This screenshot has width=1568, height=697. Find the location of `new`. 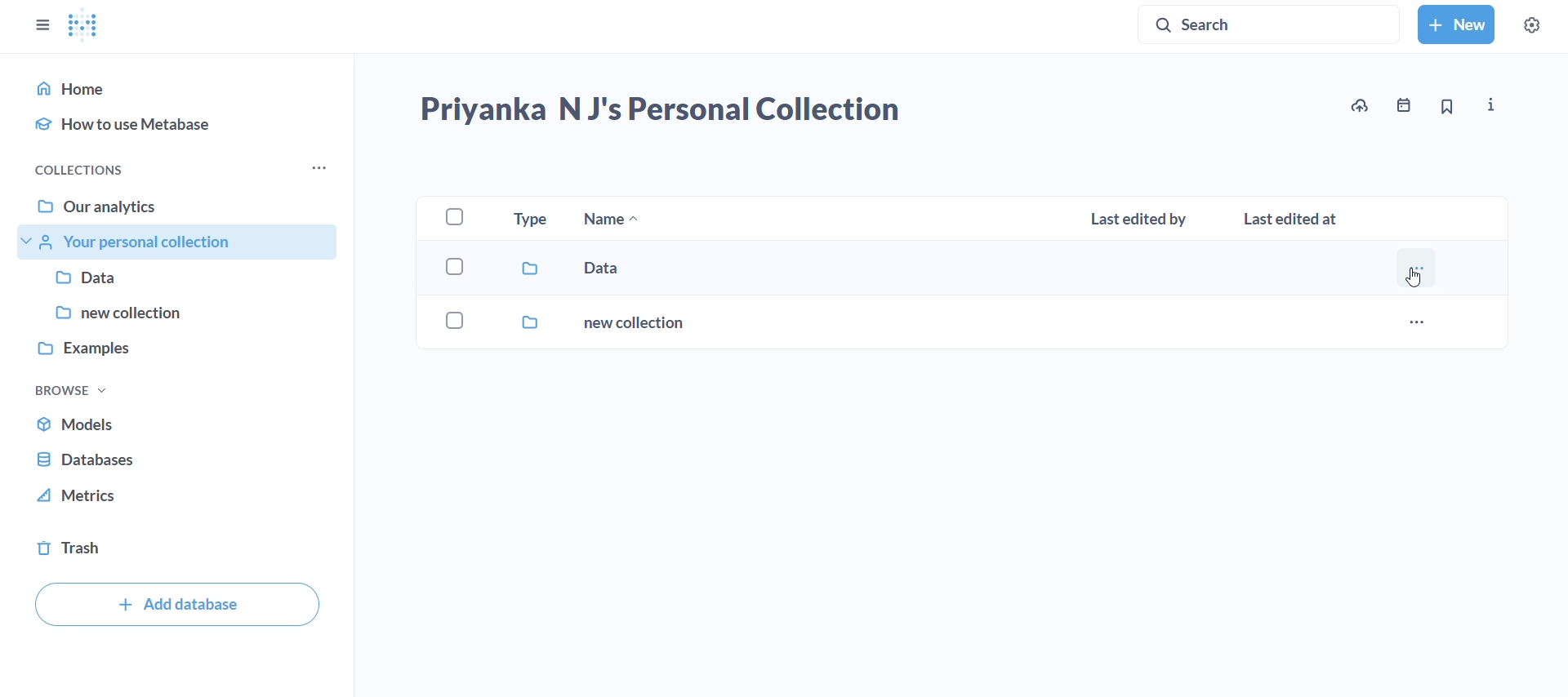

new is located at coordinates (1457, 25).